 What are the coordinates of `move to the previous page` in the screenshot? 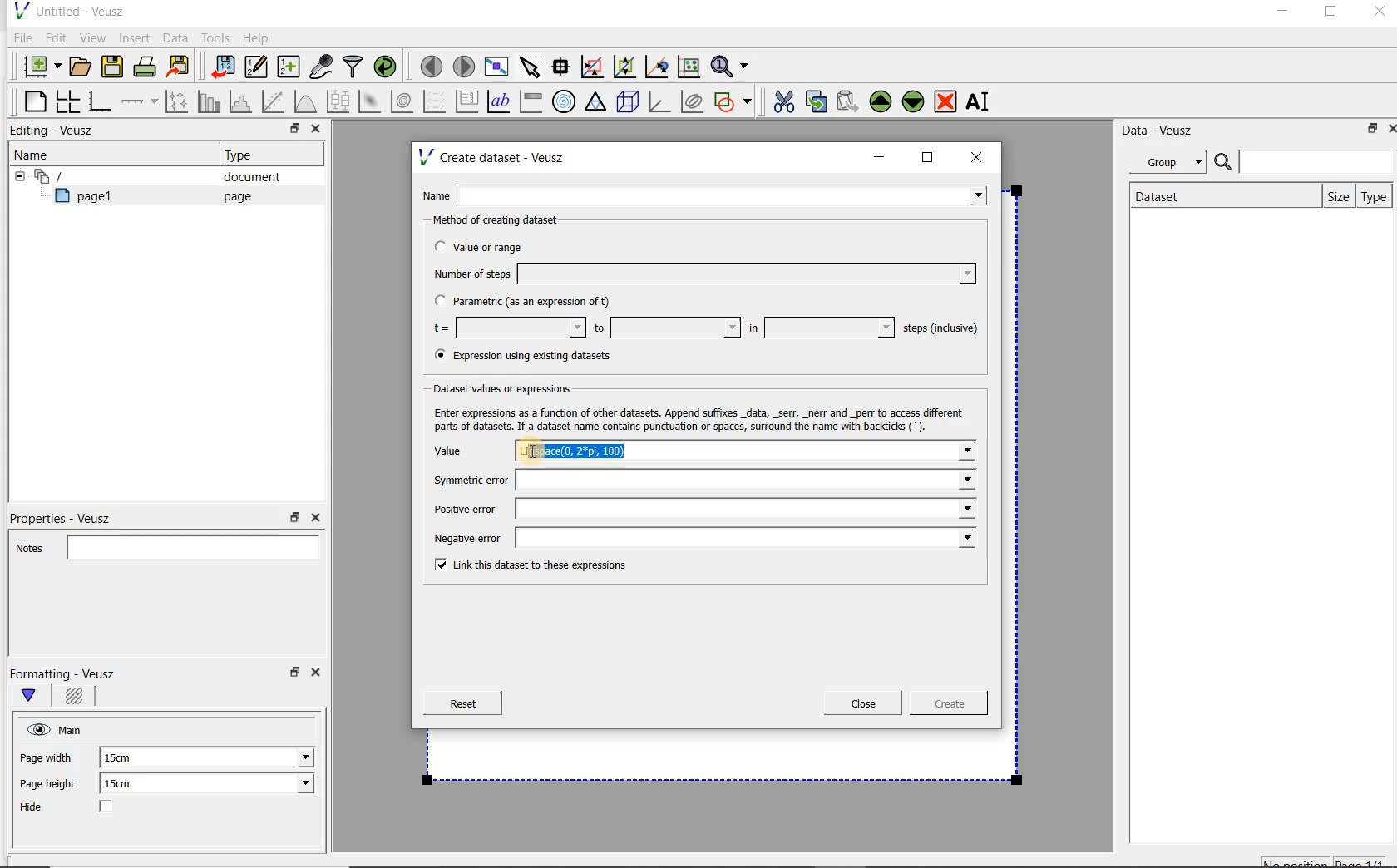 It's located at (432, 64).